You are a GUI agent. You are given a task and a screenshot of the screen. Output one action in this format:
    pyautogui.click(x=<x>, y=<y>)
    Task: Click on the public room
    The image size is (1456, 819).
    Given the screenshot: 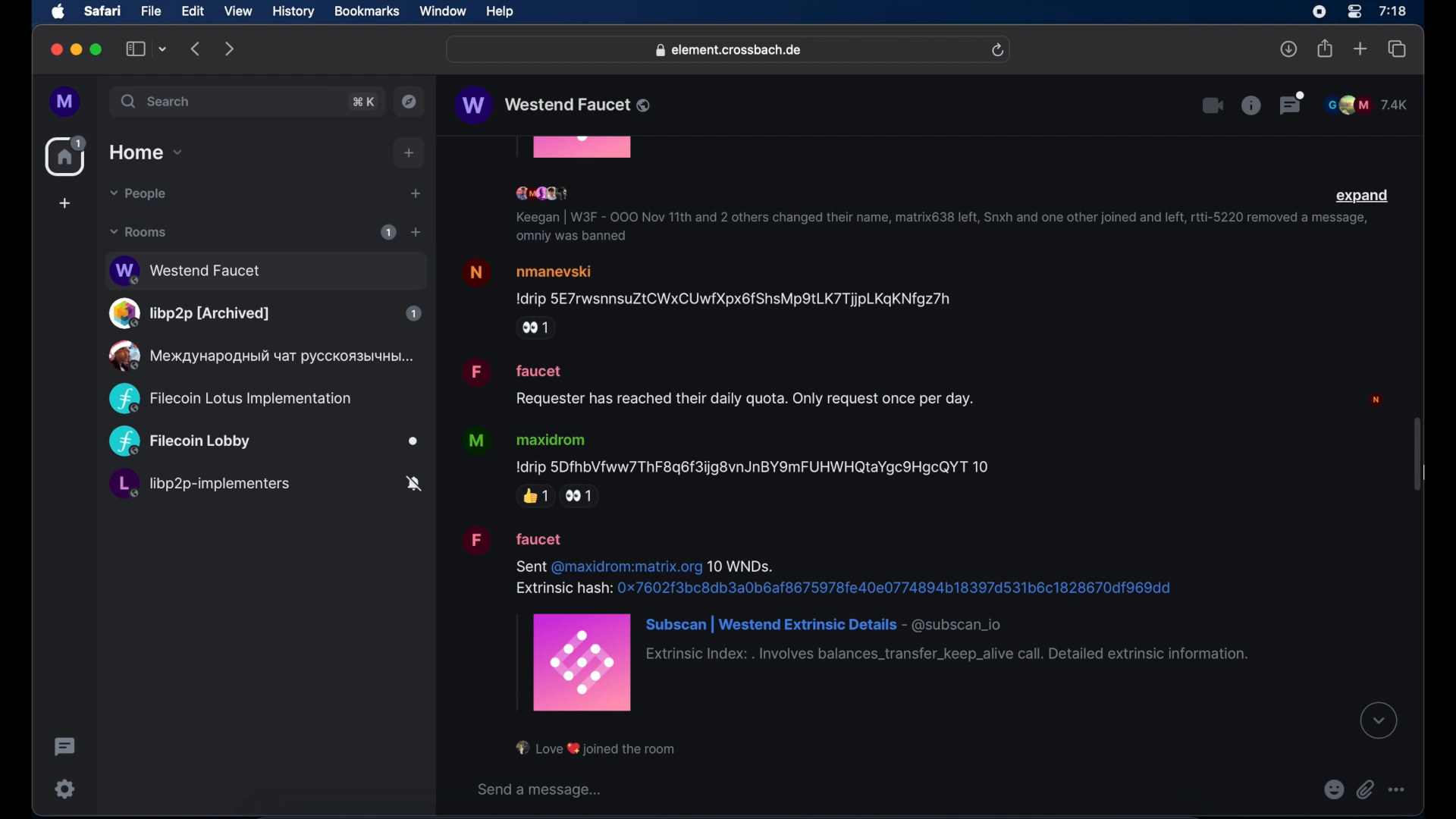 What is the action you would take?
    pyautogui.click(x=265, y=486)
    